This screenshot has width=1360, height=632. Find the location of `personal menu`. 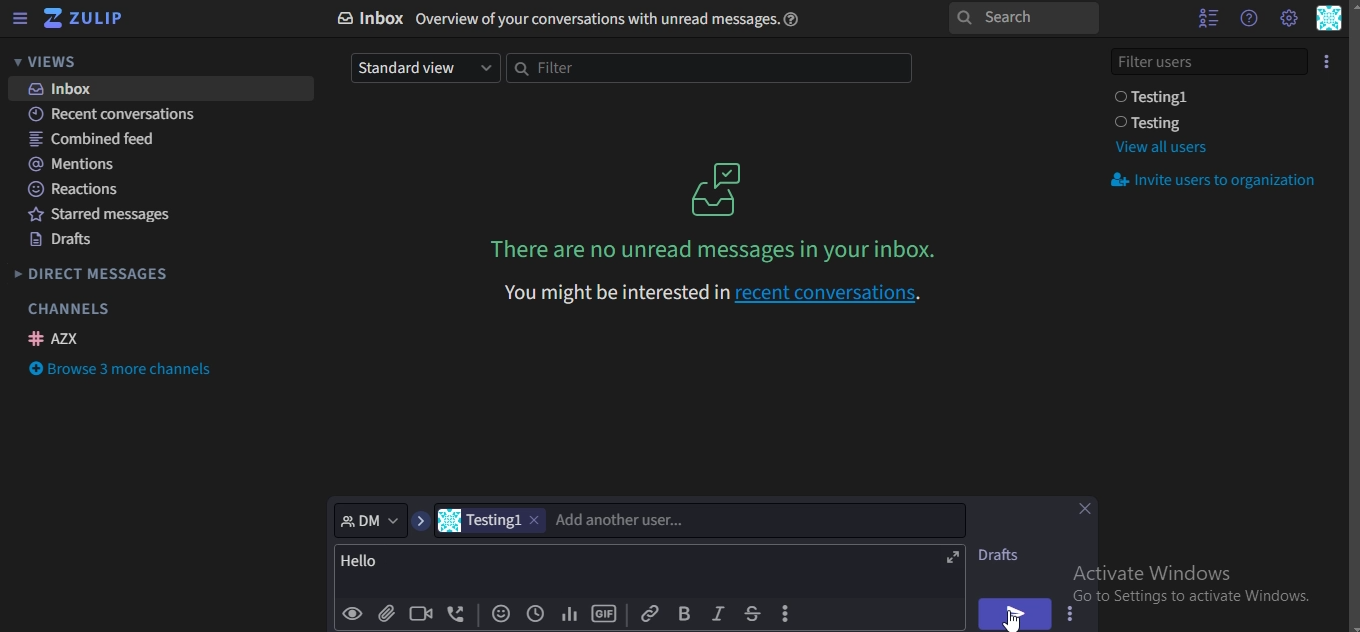

personal menu is located at coordinates (1330, 20).